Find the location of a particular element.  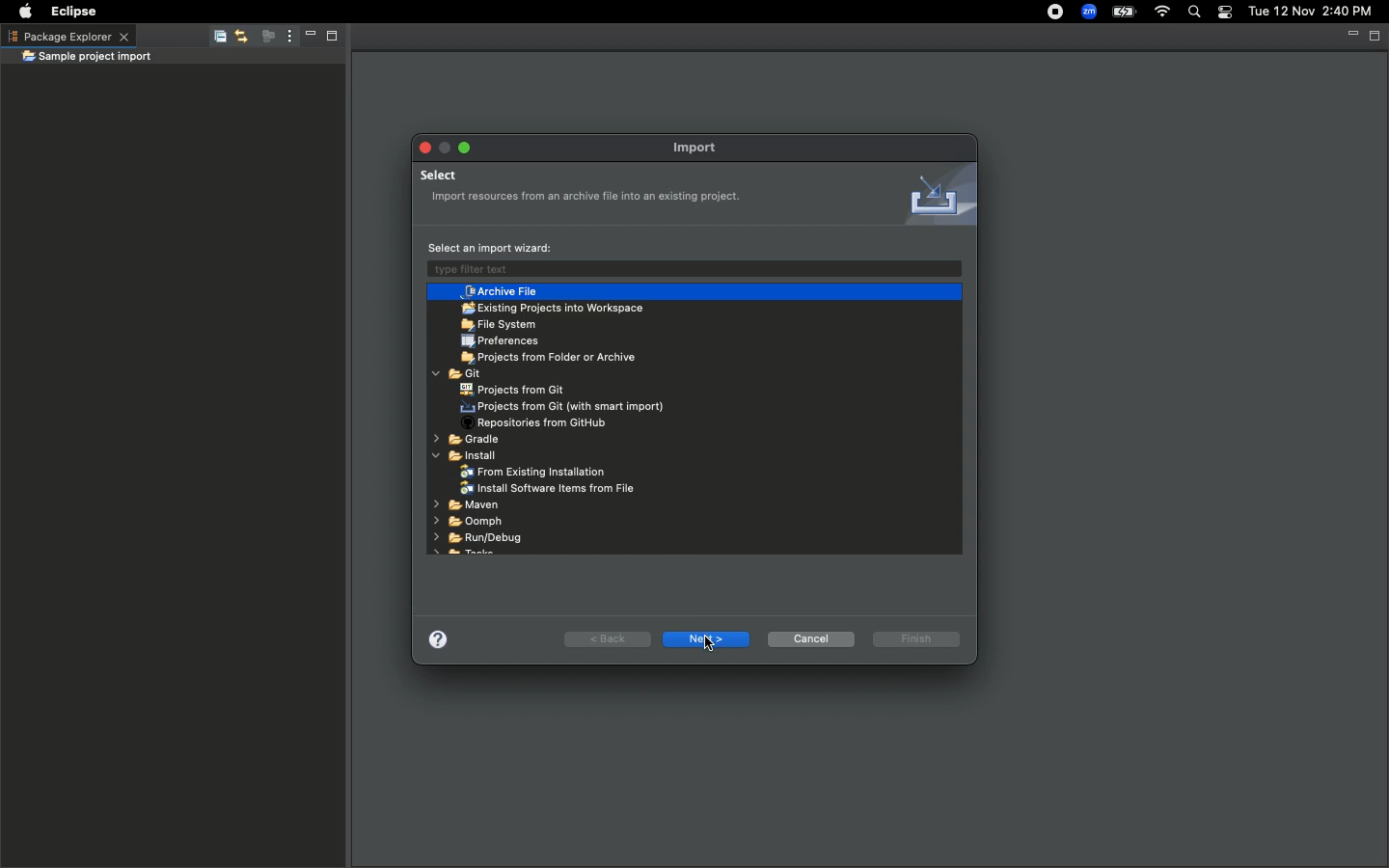

Install software items from file is located at coordinates (551, 489).